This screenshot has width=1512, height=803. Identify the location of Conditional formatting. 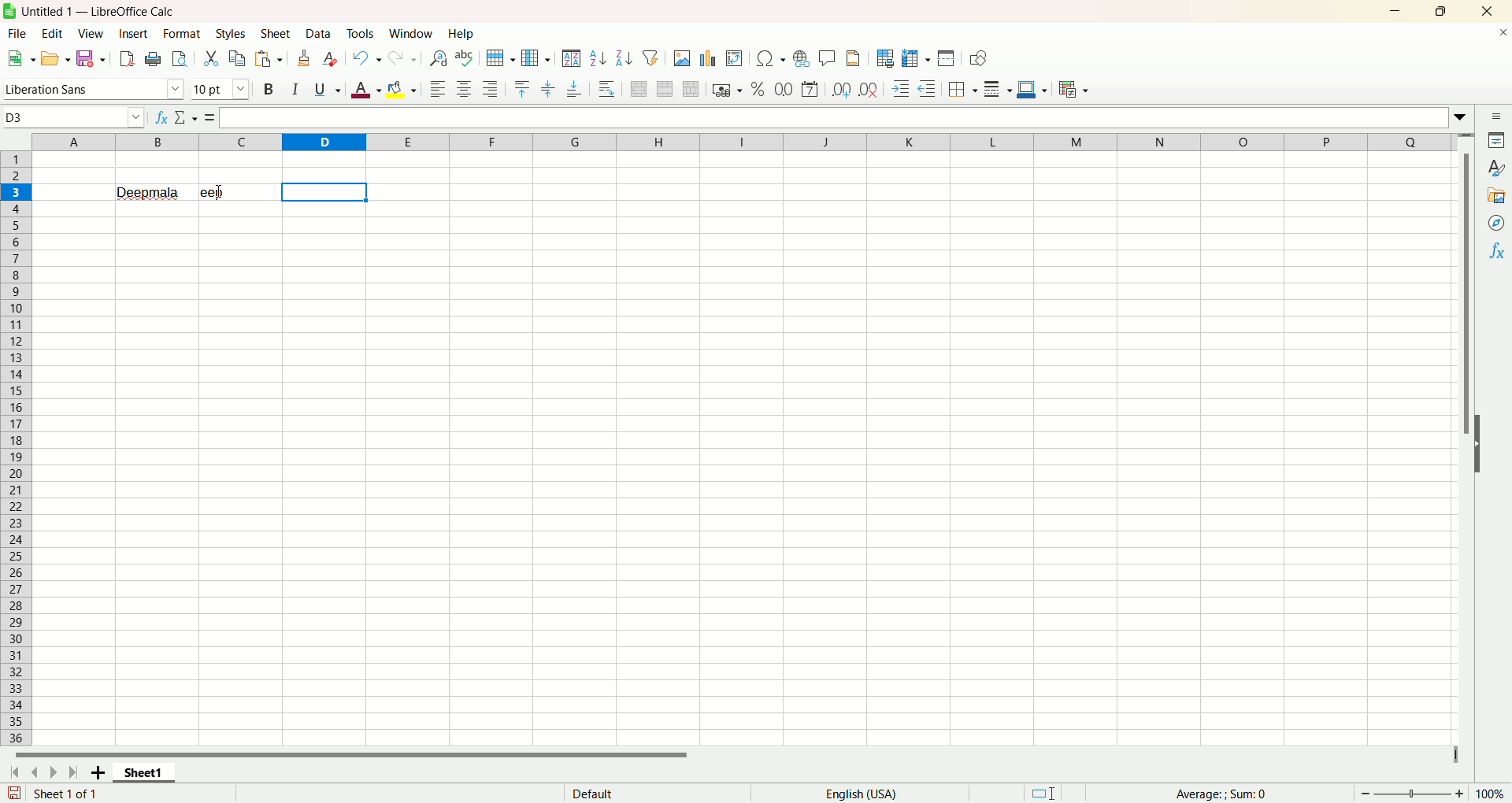
(1074, 90).